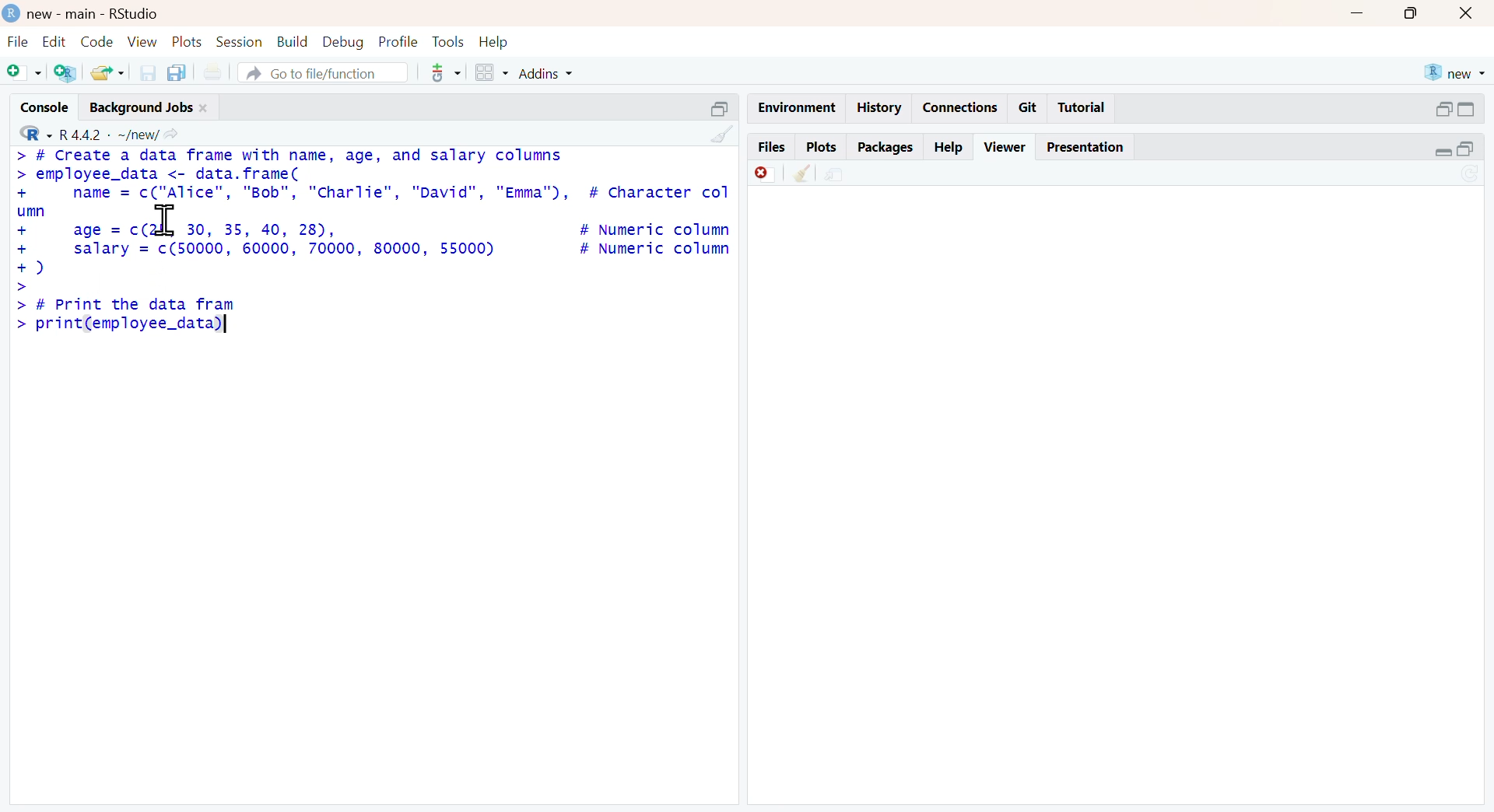  What do you see at coordinates (882, 109) in the screenshot?
I see `History` at bounding box center [882, 109].